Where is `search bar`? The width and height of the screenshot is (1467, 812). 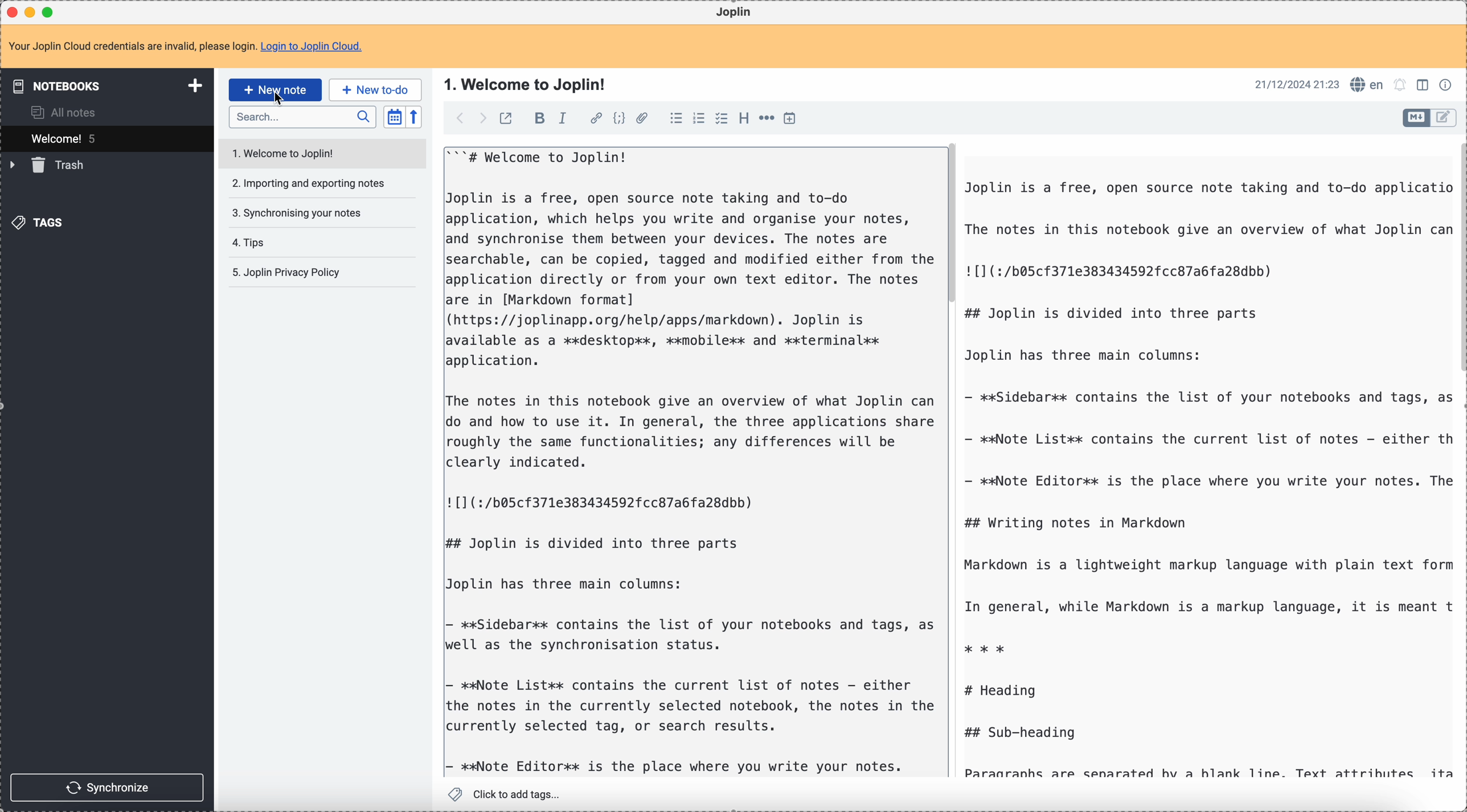
search bar is located at coordinates (302, 117).